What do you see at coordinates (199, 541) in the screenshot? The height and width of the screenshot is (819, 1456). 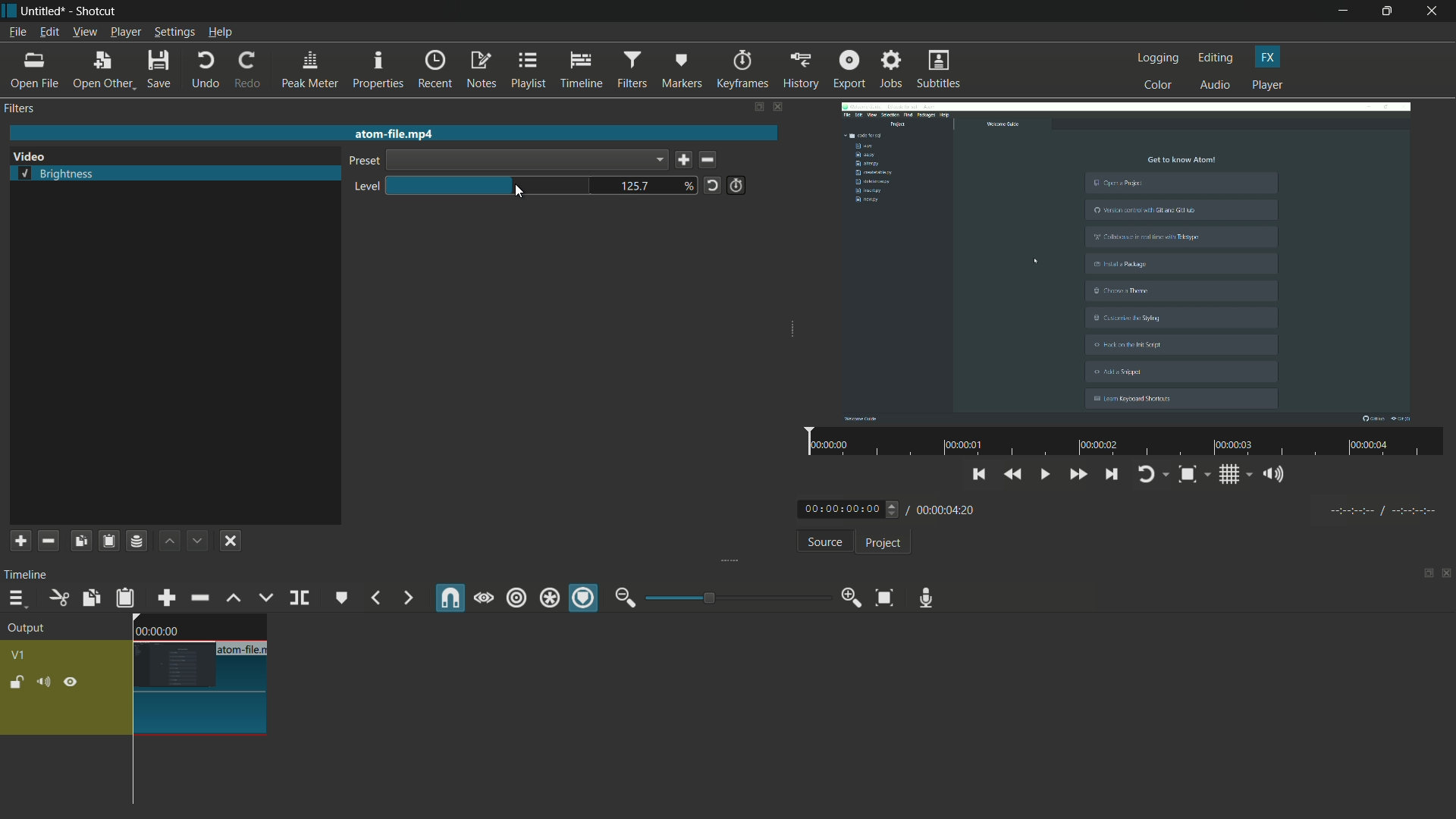 I see `move filter down` at bounding box center [199, 541].